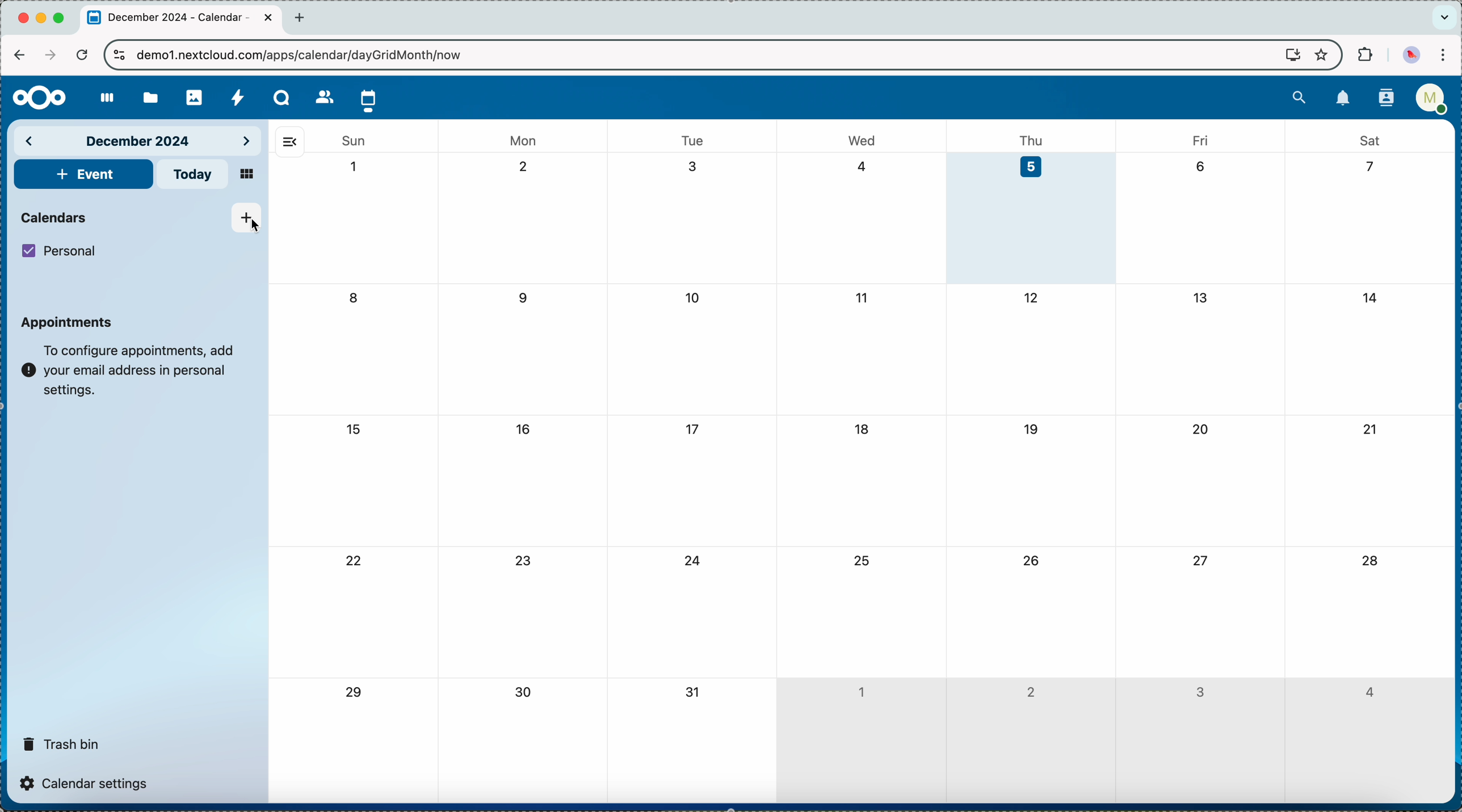 This screenshot has width=1462, height=812. Describe the element at coordinates (369, 99) in the screenshot. I see `click on calendar` at that location.